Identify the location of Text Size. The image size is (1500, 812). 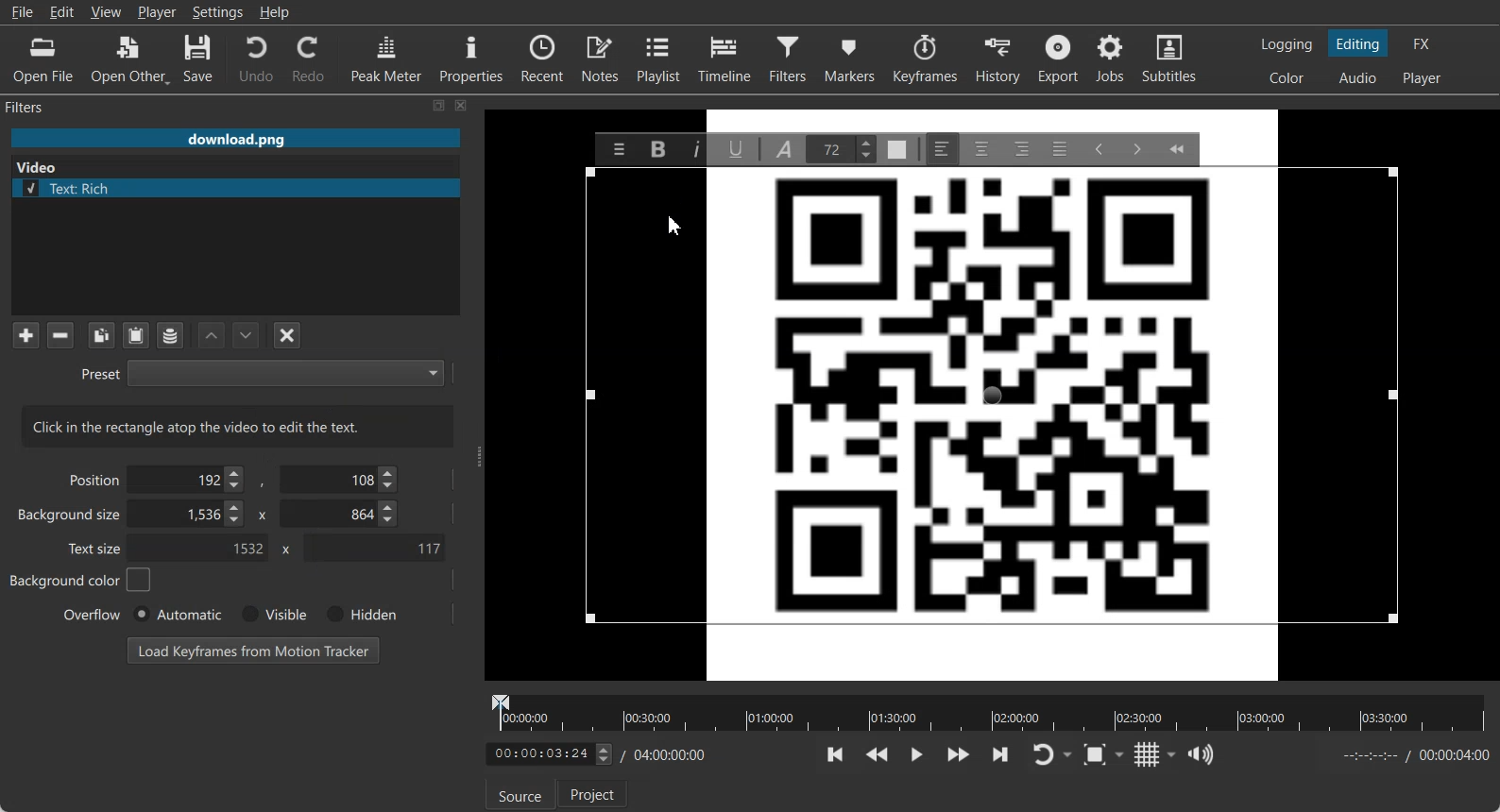
(840, 149).